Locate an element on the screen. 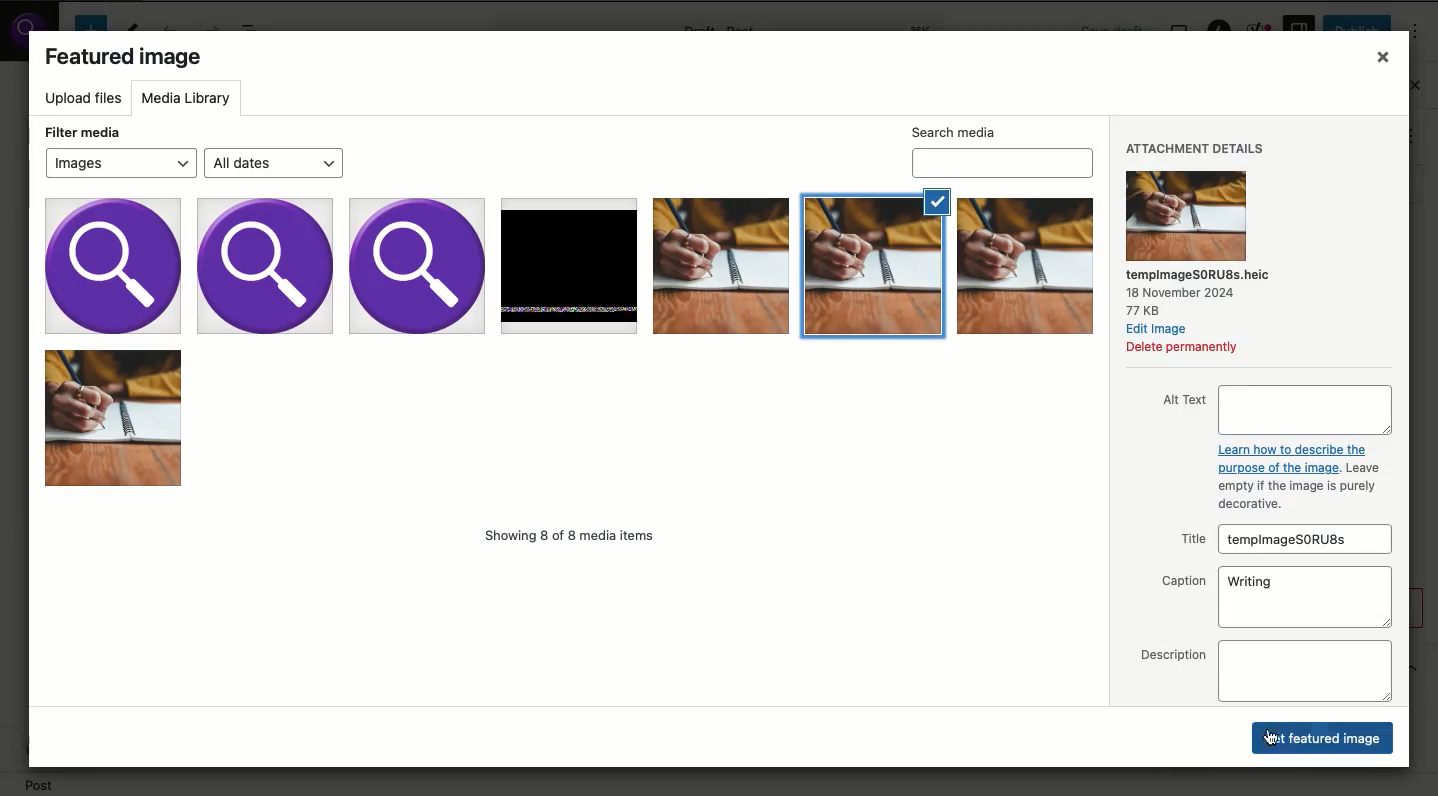 The width and height of the screenshot is (1438, 796). link is located at coordinates (1291, 448).